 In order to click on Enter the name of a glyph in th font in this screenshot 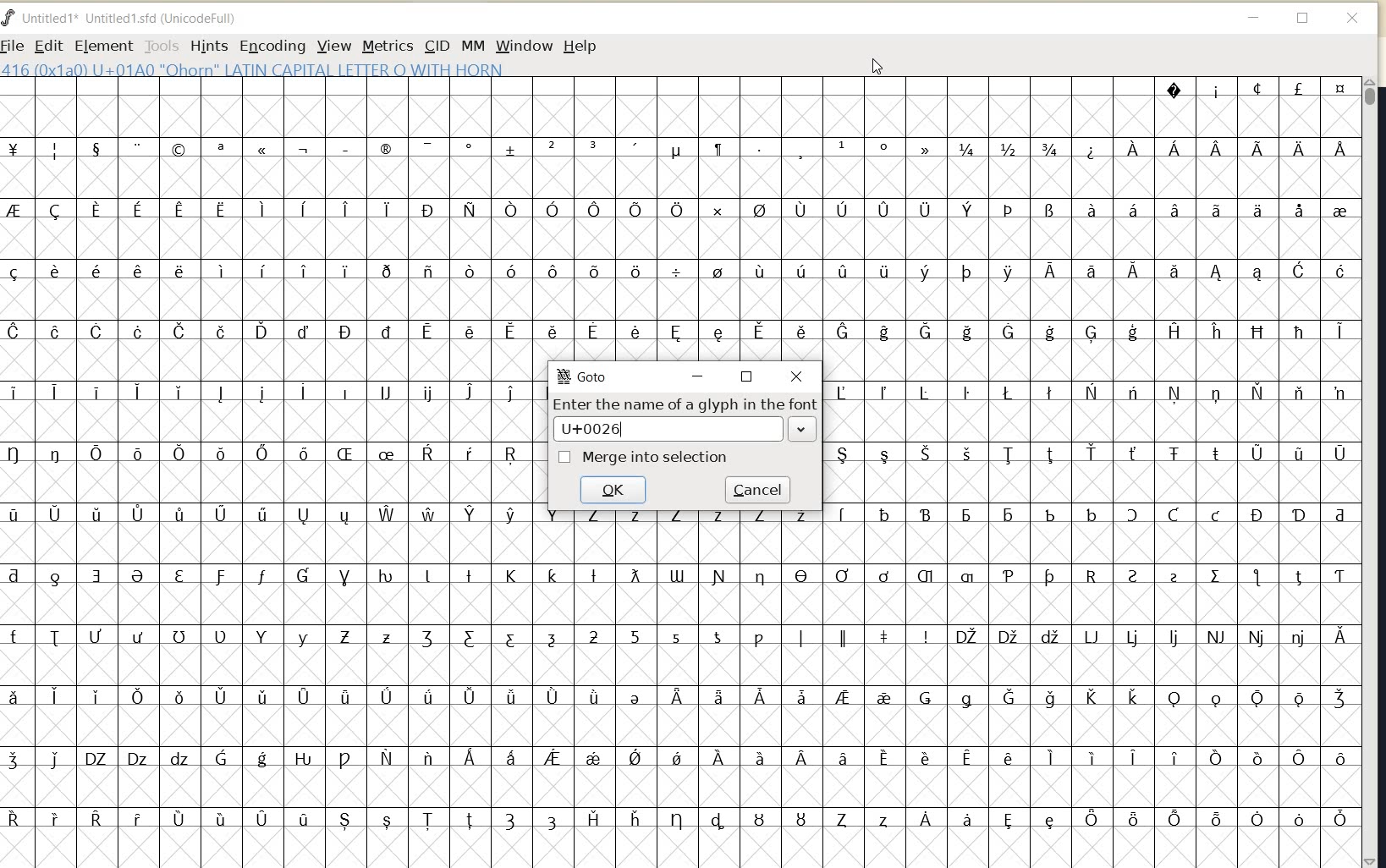, I will do `click(683, 404)`.